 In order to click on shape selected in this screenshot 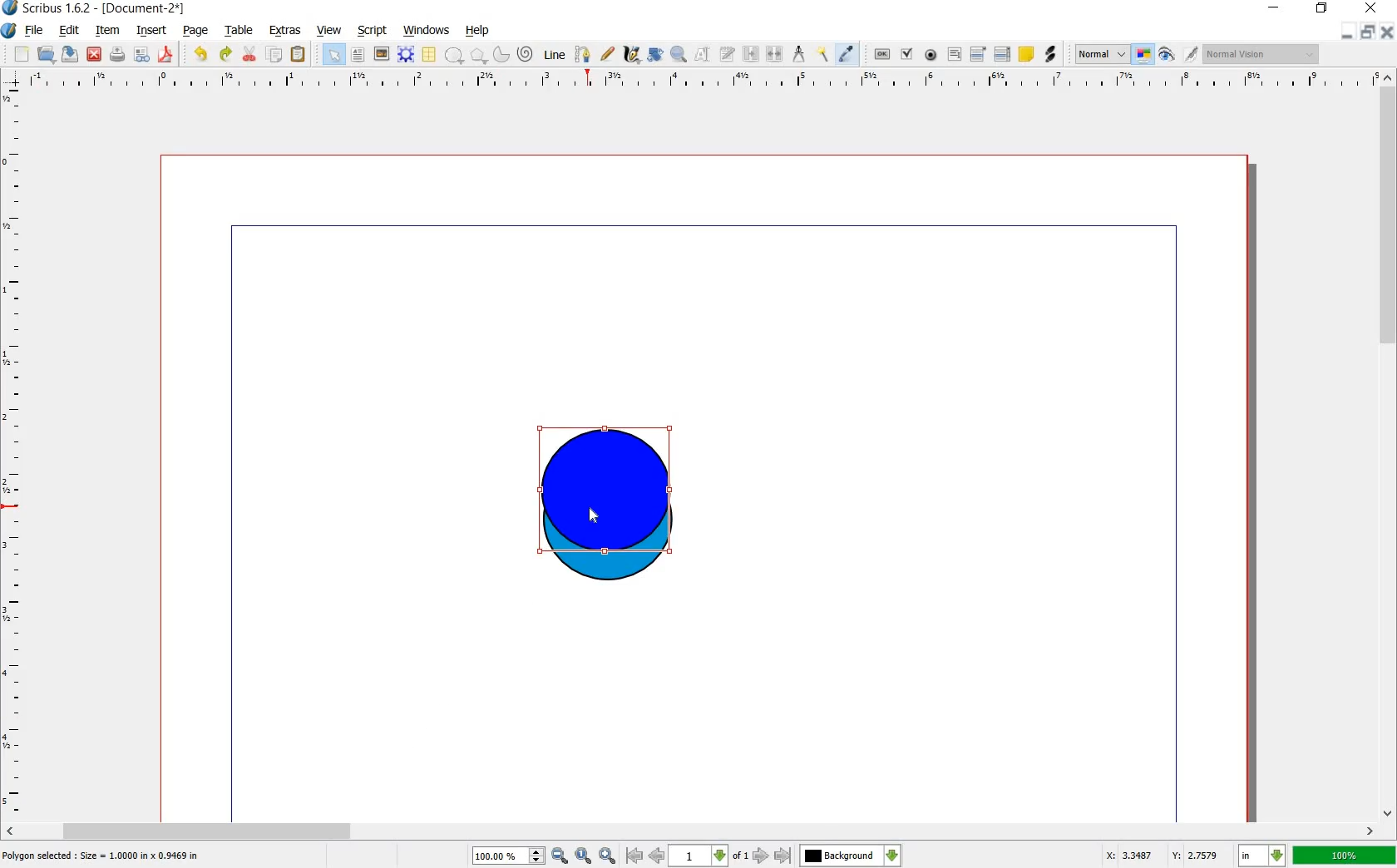, I will do `click(603, 489)`.